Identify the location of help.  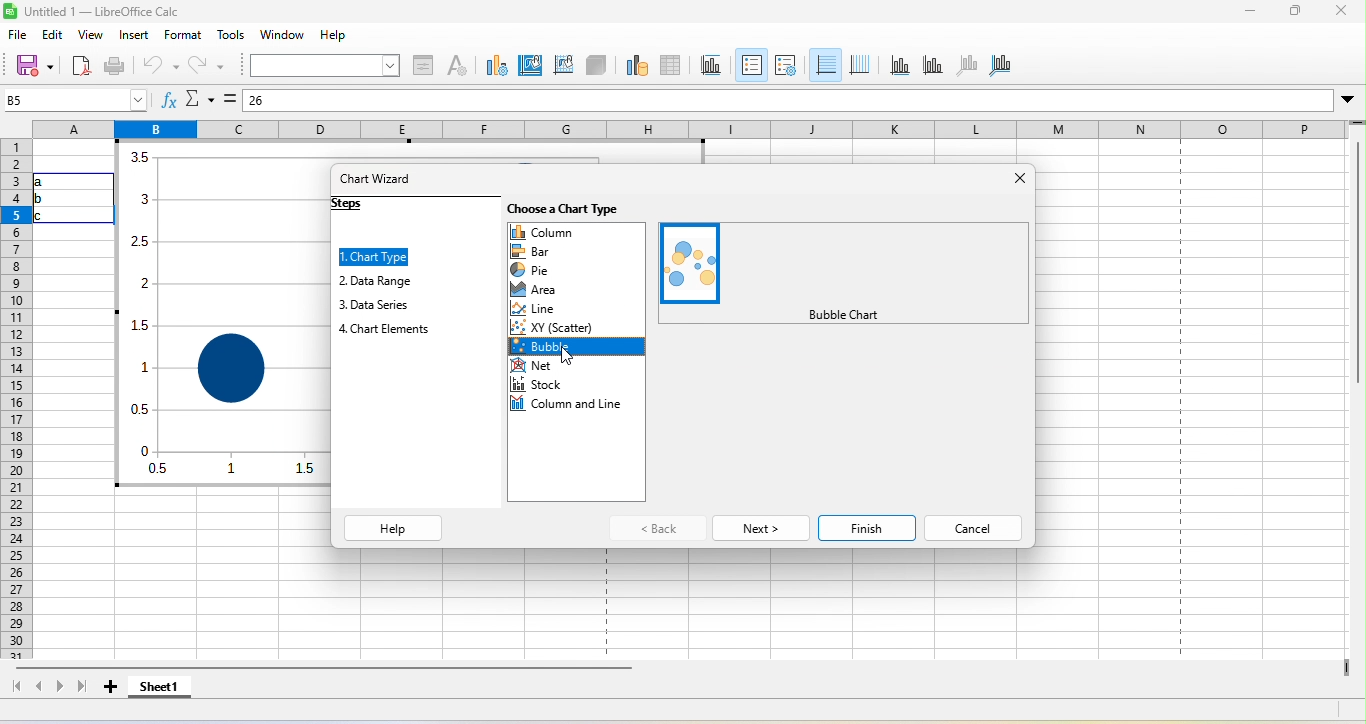
(394, 528).